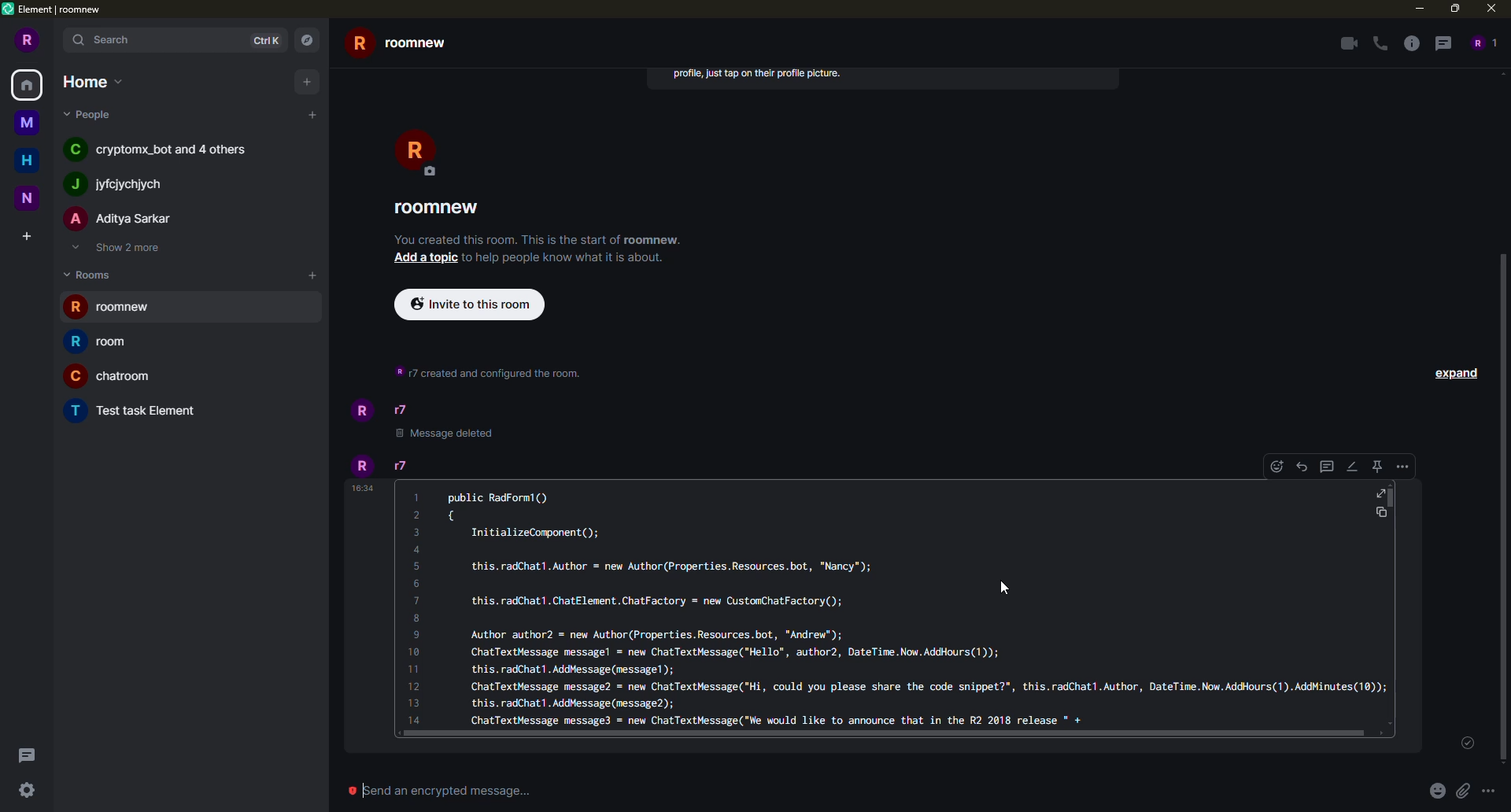 Image resolution: width=1511 pixels, height=812 pixels. What do you see at coordinates (441, 209) in the screenshot?
I see `room` at bounding box center [441, 209].